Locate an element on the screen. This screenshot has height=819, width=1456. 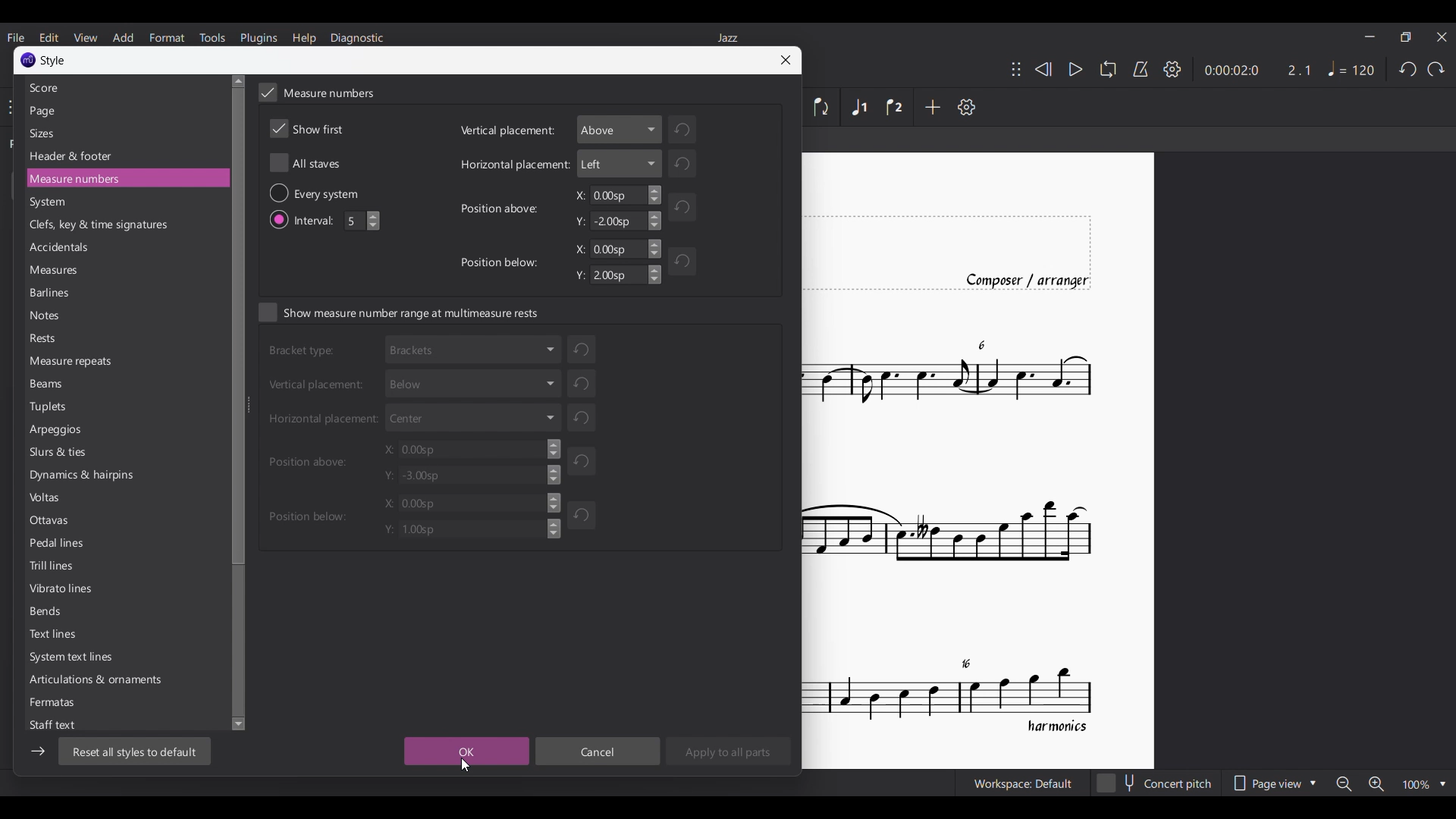
Duration and ratio is located at coordinates (1258, 71).